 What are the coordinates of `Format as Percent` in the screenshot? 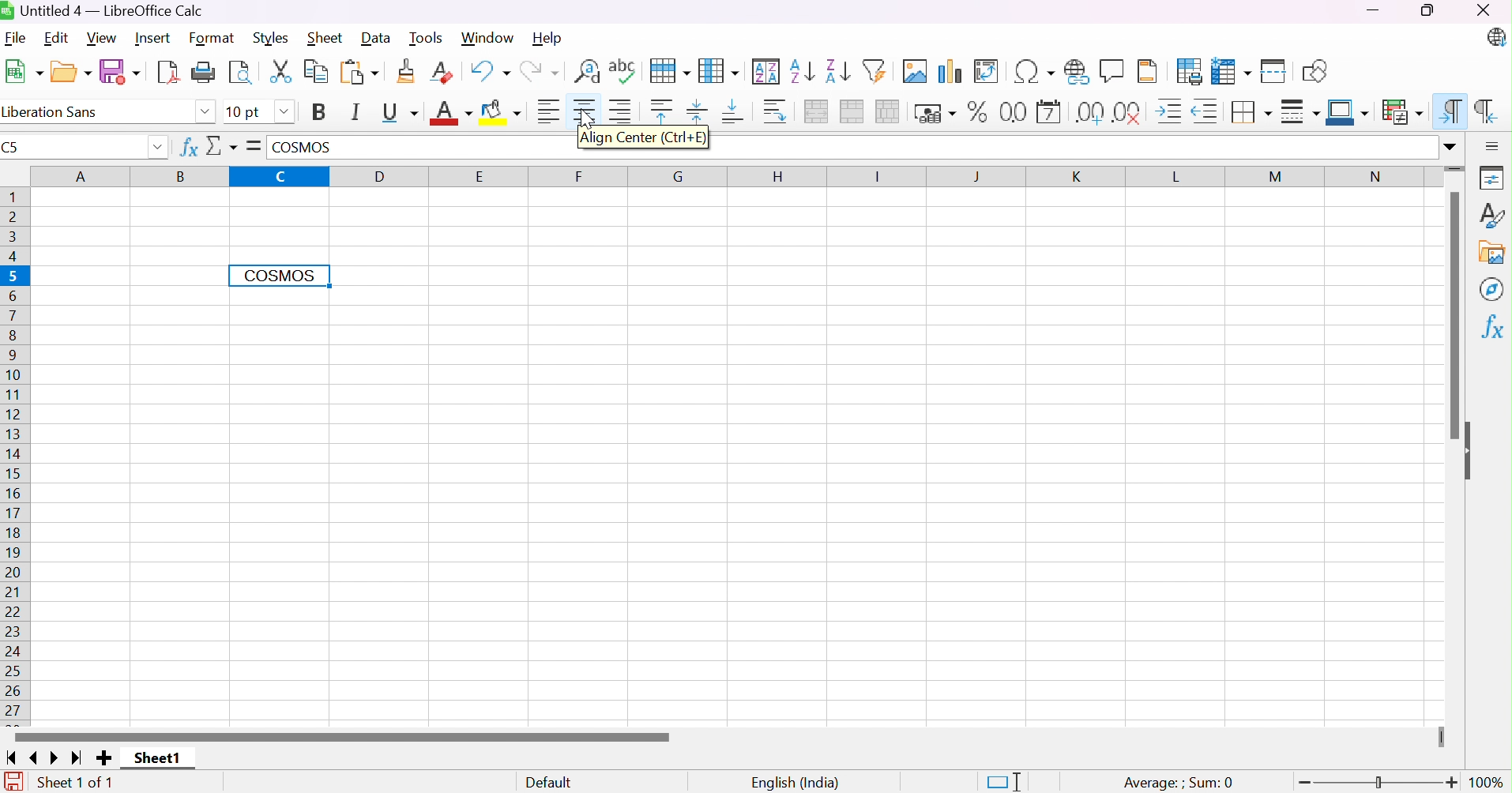 It's located at (979, 111).